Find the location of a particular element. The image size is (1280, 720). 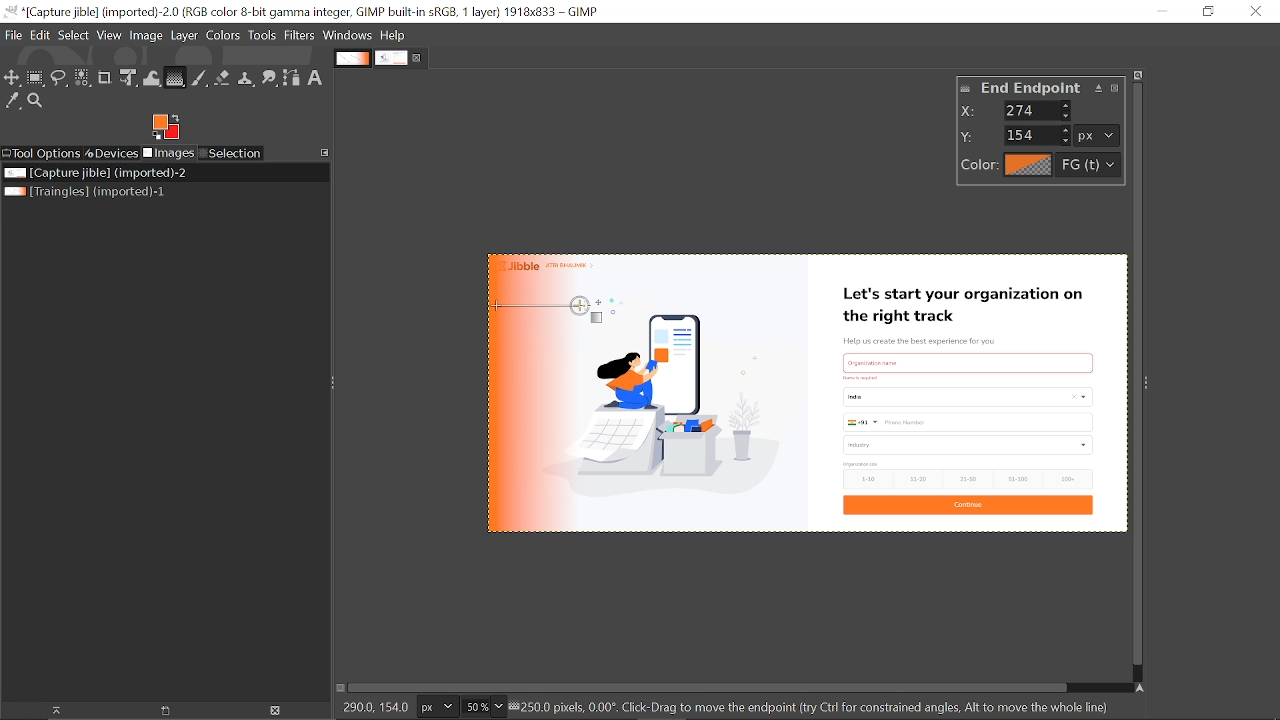

Foreground color is located at coordinates (165, 127).